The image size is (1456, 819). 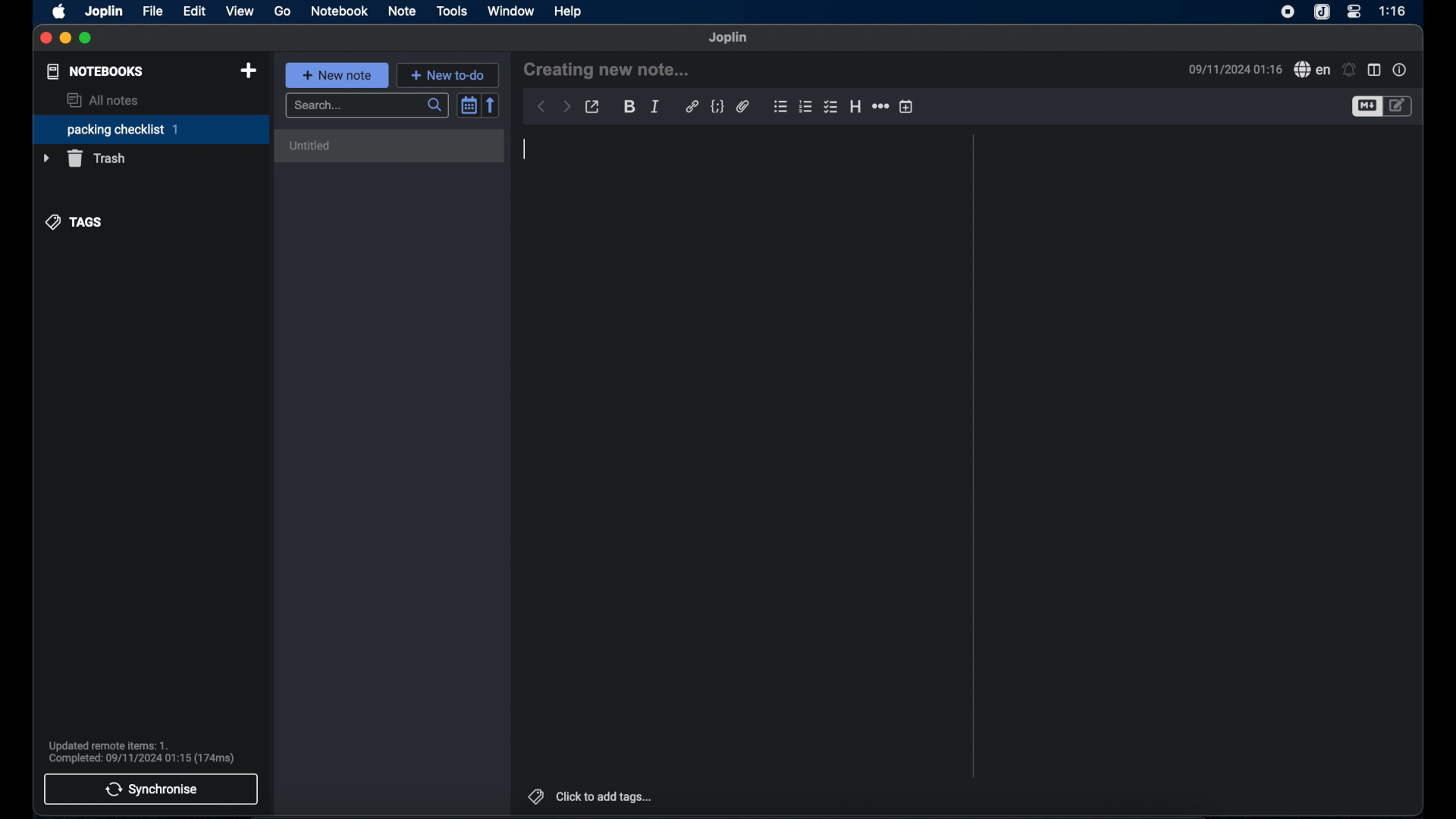 What do you see at coordinates (468, 105) in the screenshot?
I see `toggle sort order field` at bounding box center [468, 105].